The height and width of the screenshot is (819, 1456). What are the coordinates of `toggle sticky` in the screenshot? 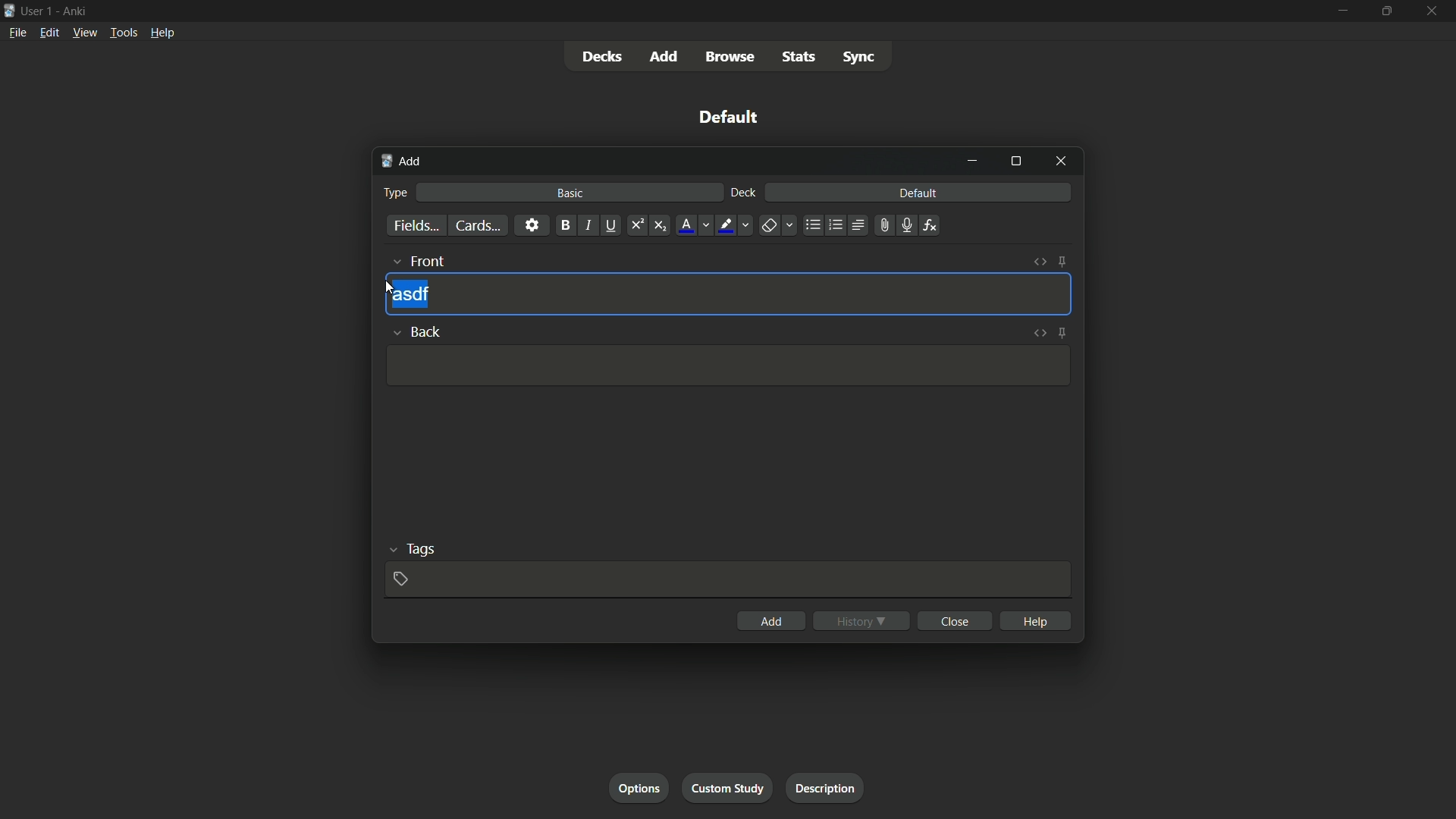 It's located at (1063, 262).